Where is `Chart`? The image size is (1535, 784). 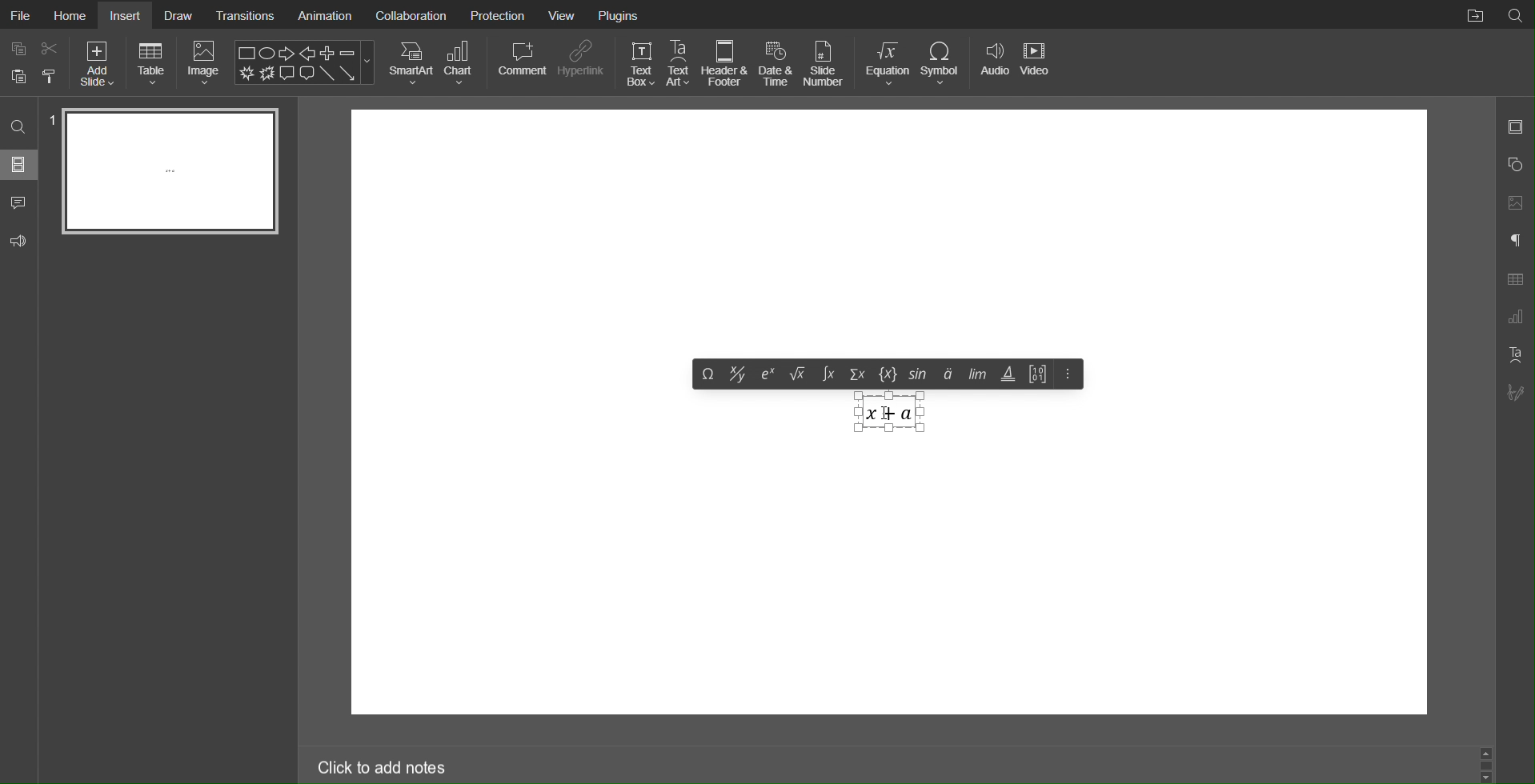 Chart is located at coordinates (461, 63).